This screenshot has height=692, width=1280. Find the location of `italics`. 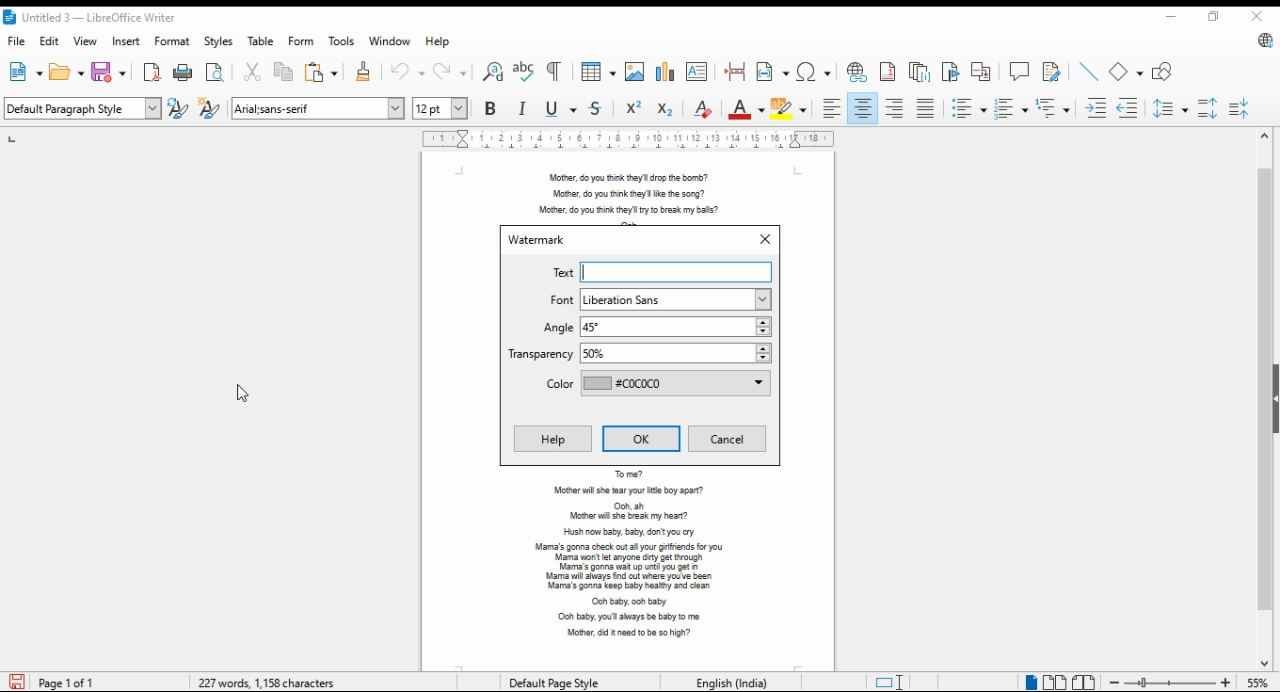

italics is located at coordinates (523, 108).